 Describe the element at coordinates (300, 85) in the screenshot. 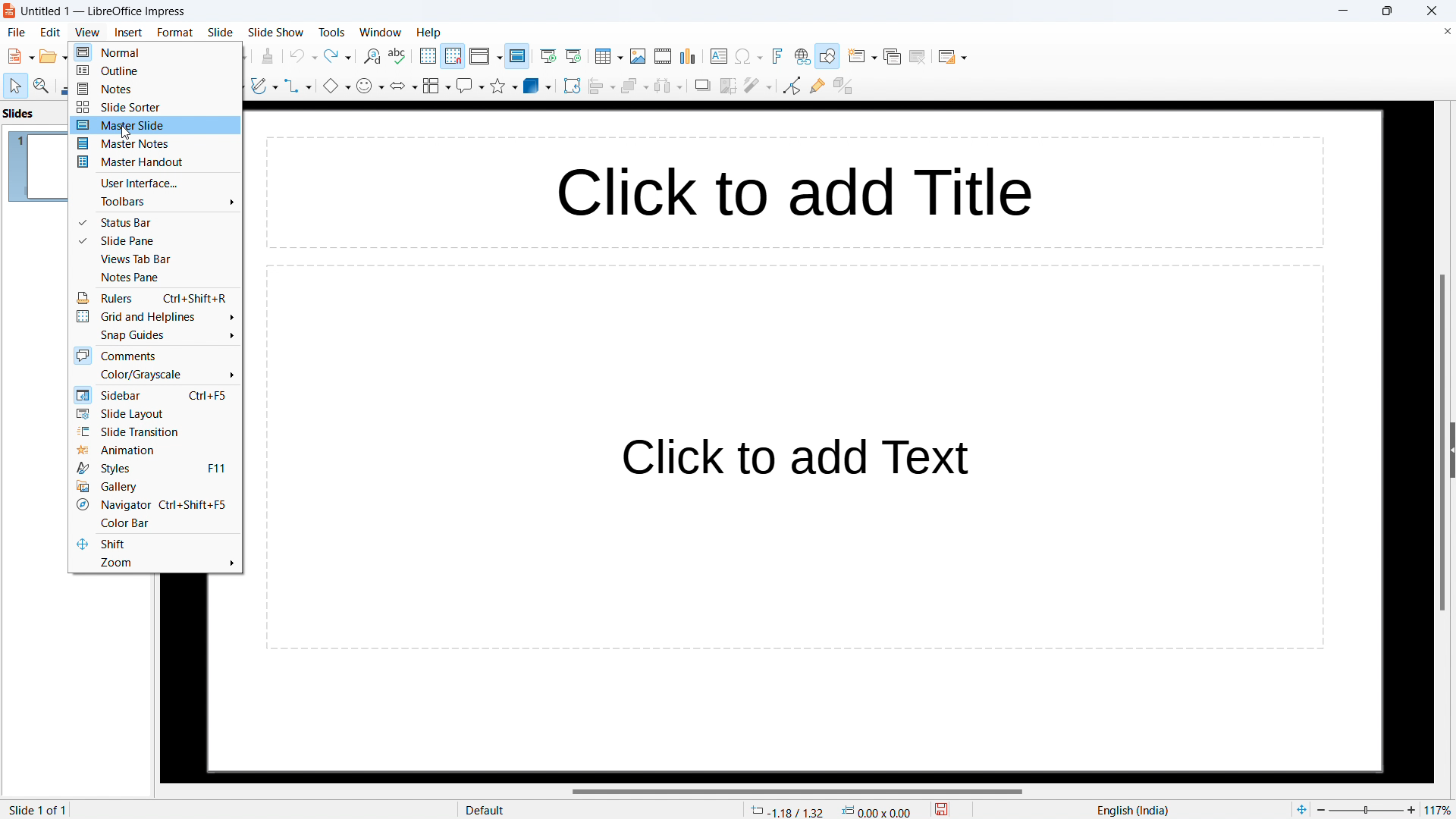

I see `connectors` at that location.